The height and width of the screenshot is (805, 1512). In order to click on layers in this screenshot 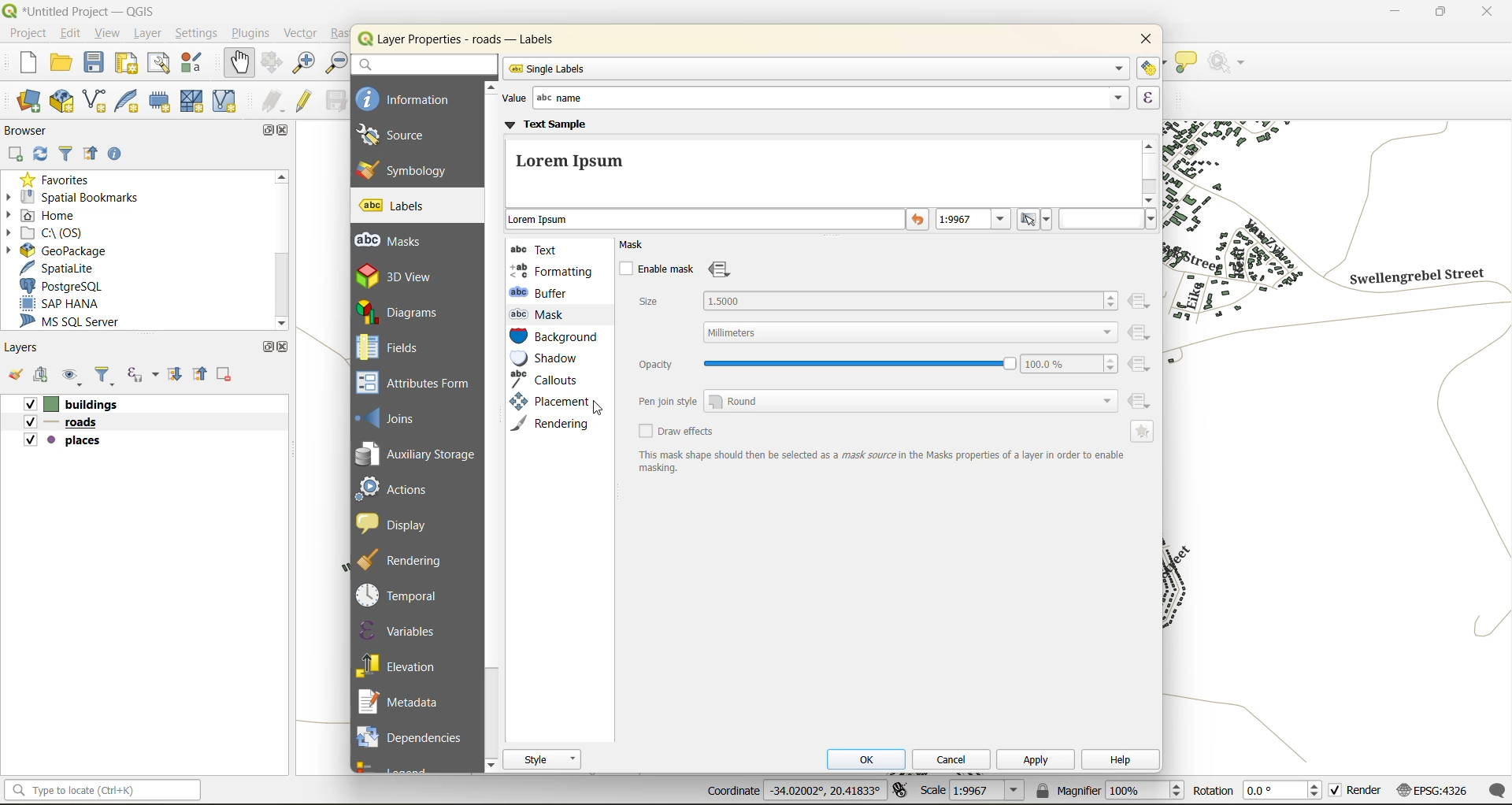, I will do `click(28, 350)`.